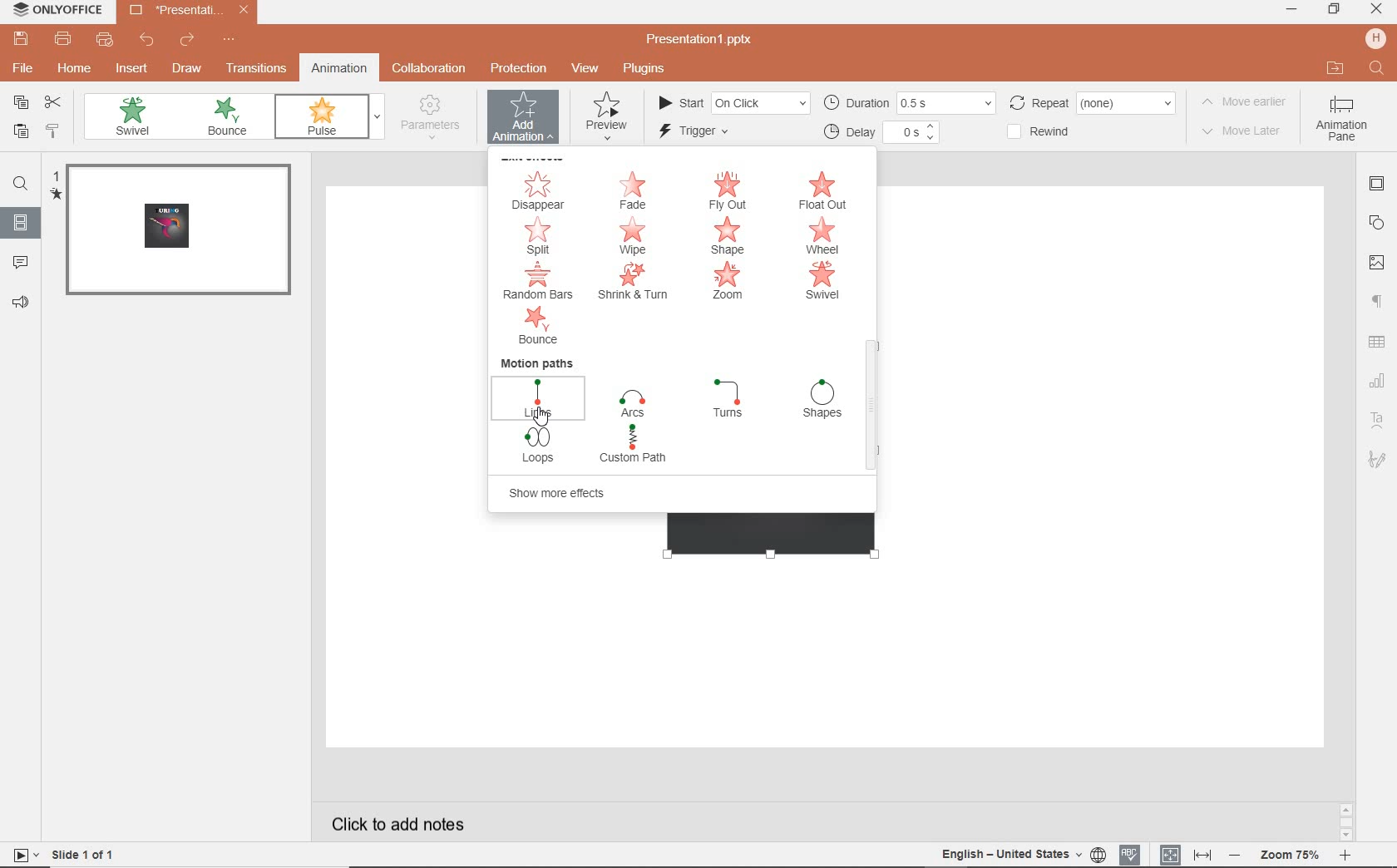 The image size is (1397, 868). I want to click on rewind, so click(1054, 133).